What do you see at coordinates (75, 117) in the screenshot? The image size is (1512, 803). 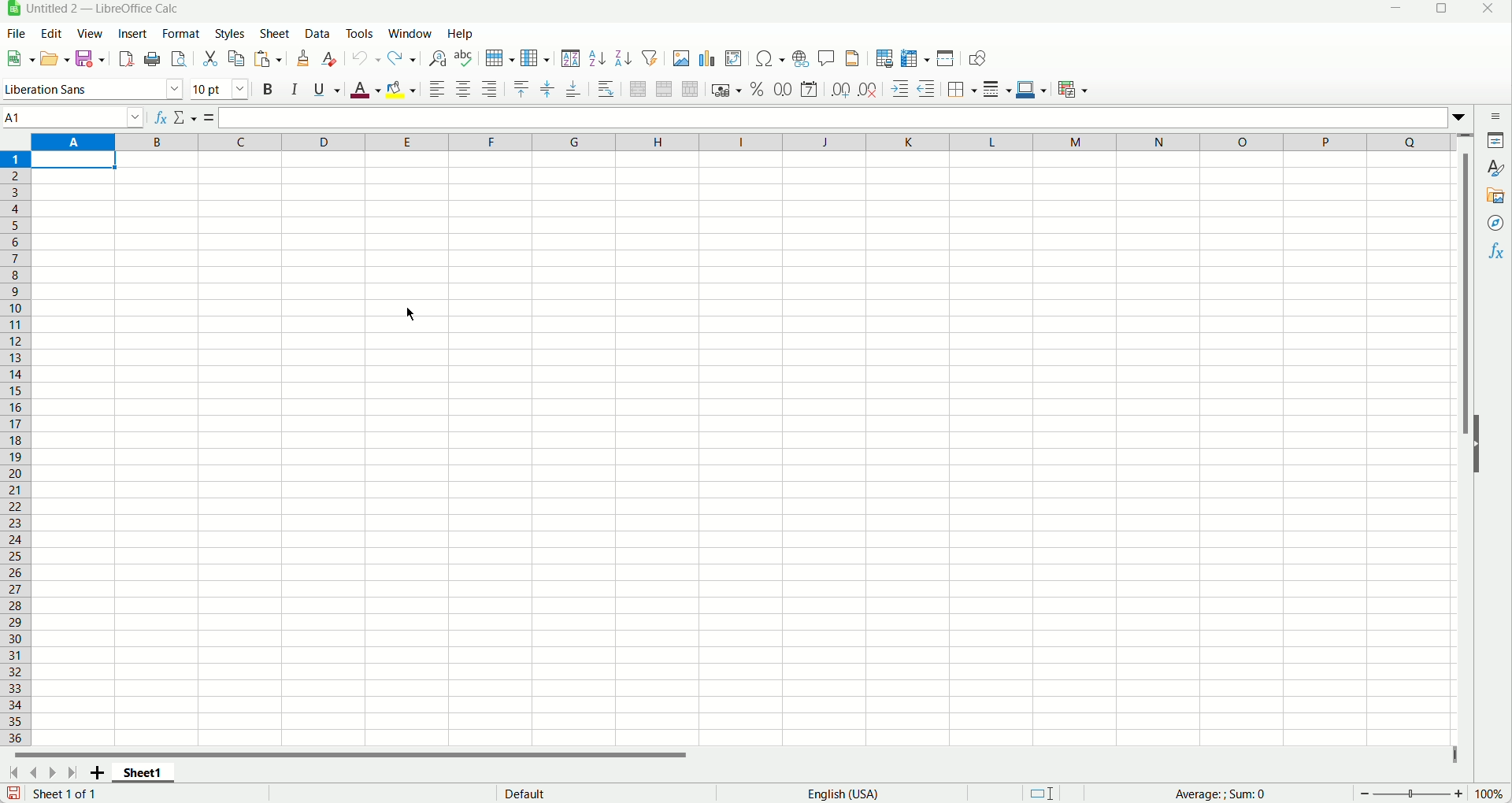 I see `Name box` at bounding box center [75, 117].